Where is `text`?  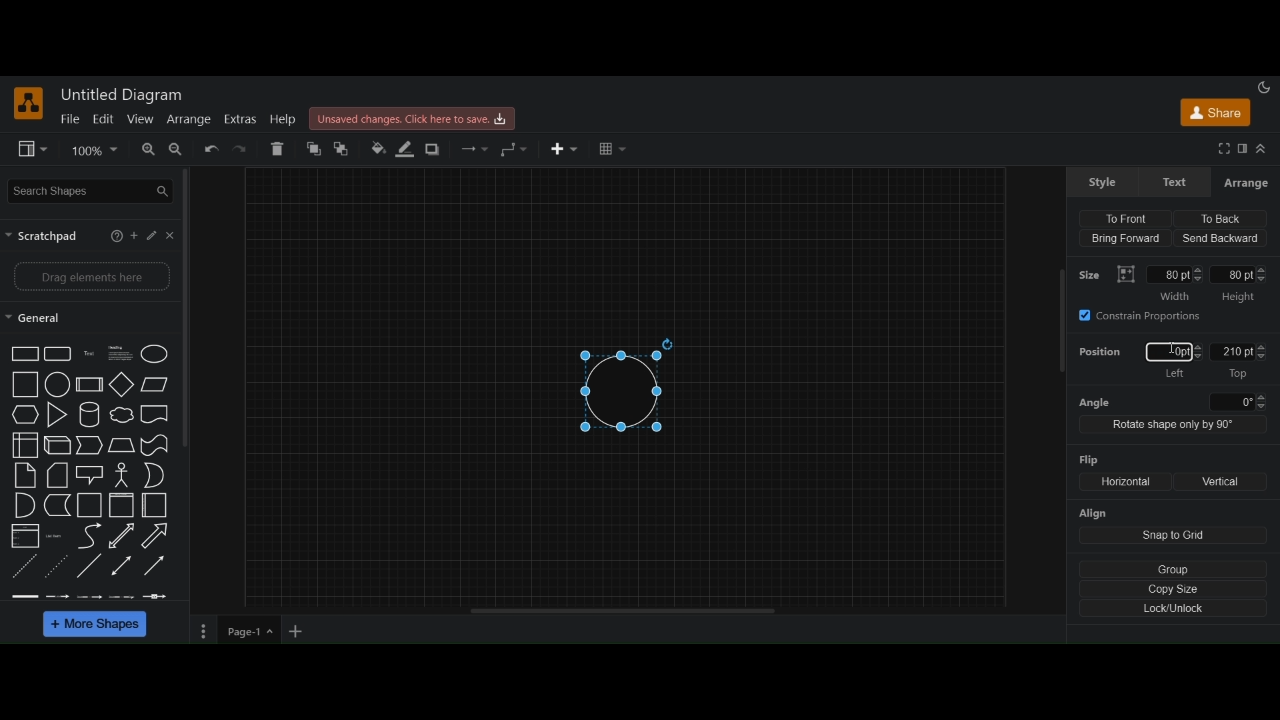 text is located at coordinates (1177, 182).